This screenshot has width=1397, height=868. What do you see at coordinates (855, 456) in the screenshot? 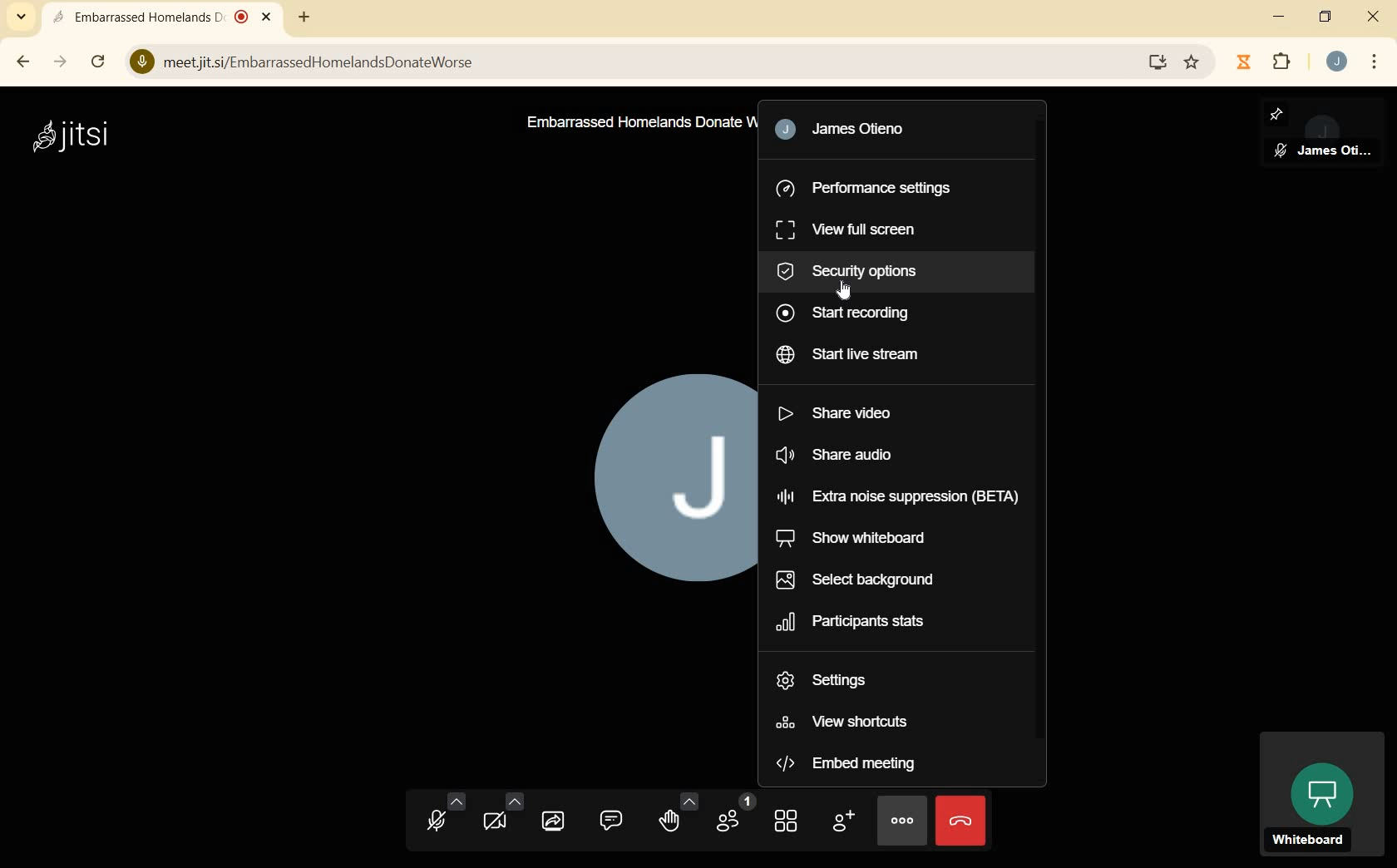
I see `SHARE AUDIO` at bounding box center [855, 456].